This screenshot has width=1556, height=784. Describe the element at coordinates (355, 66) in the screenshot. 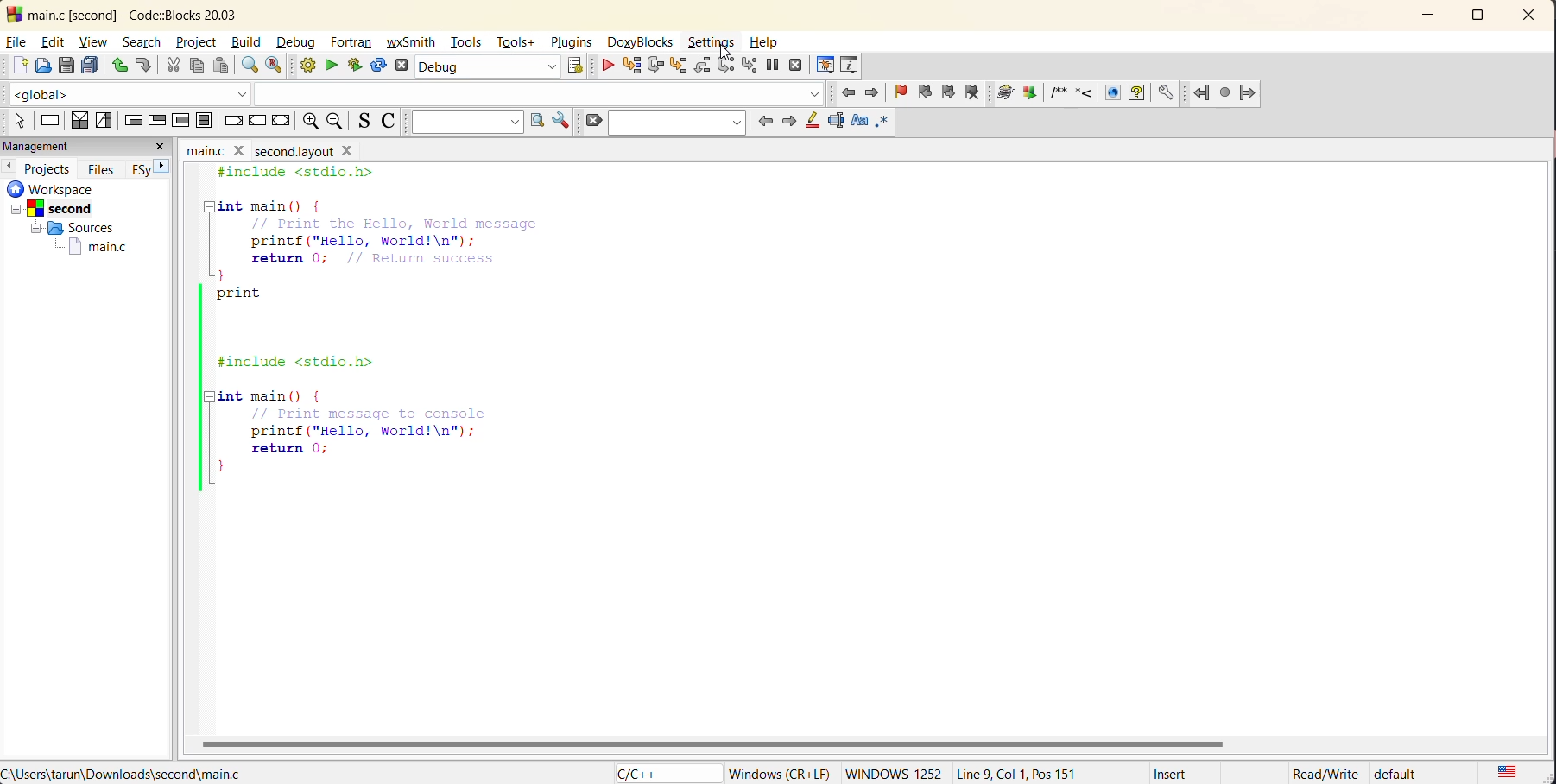

I see `build and run` at that location.